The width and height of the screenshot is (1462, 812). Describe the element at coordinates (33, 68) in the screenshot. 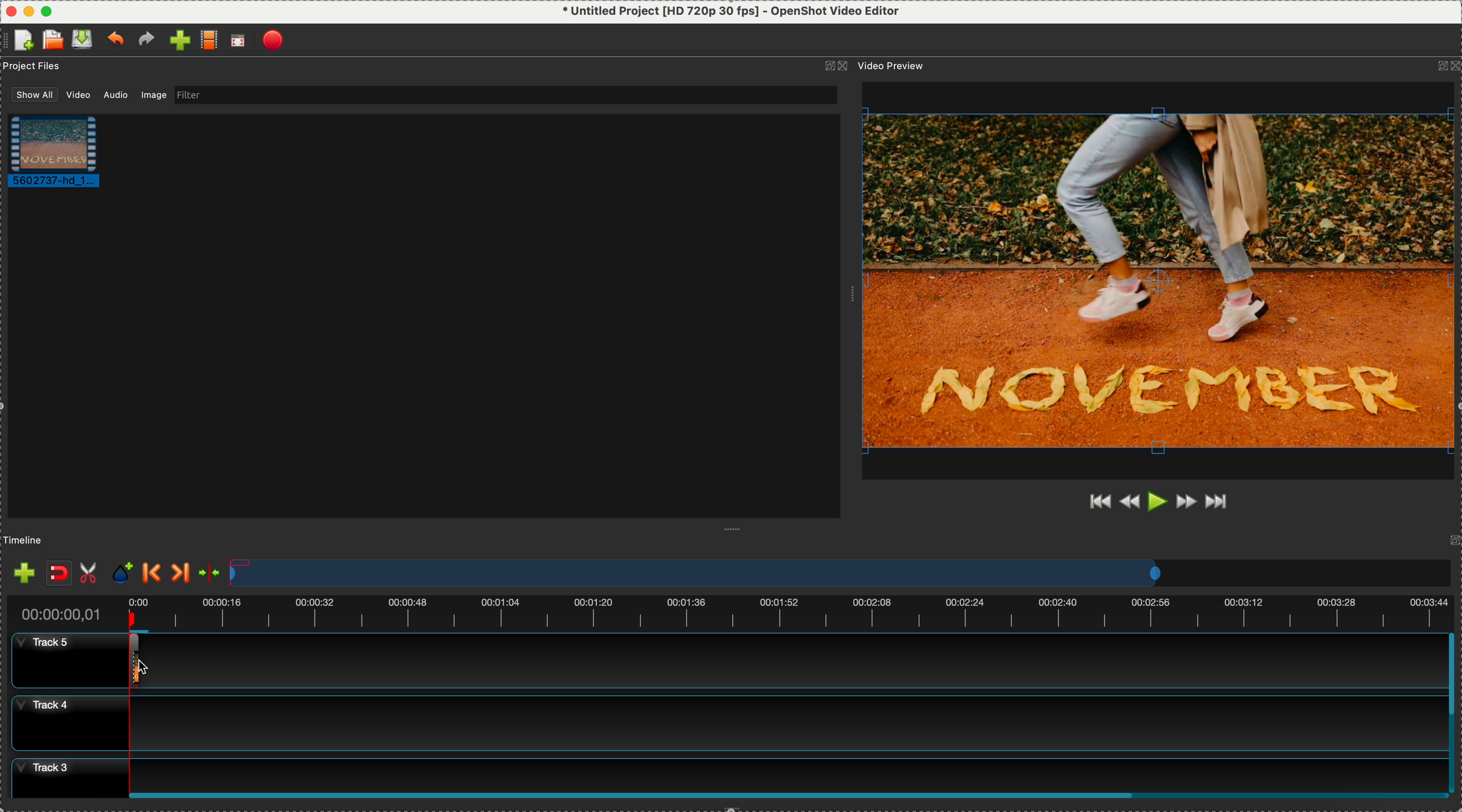

I see `project files` at that location.